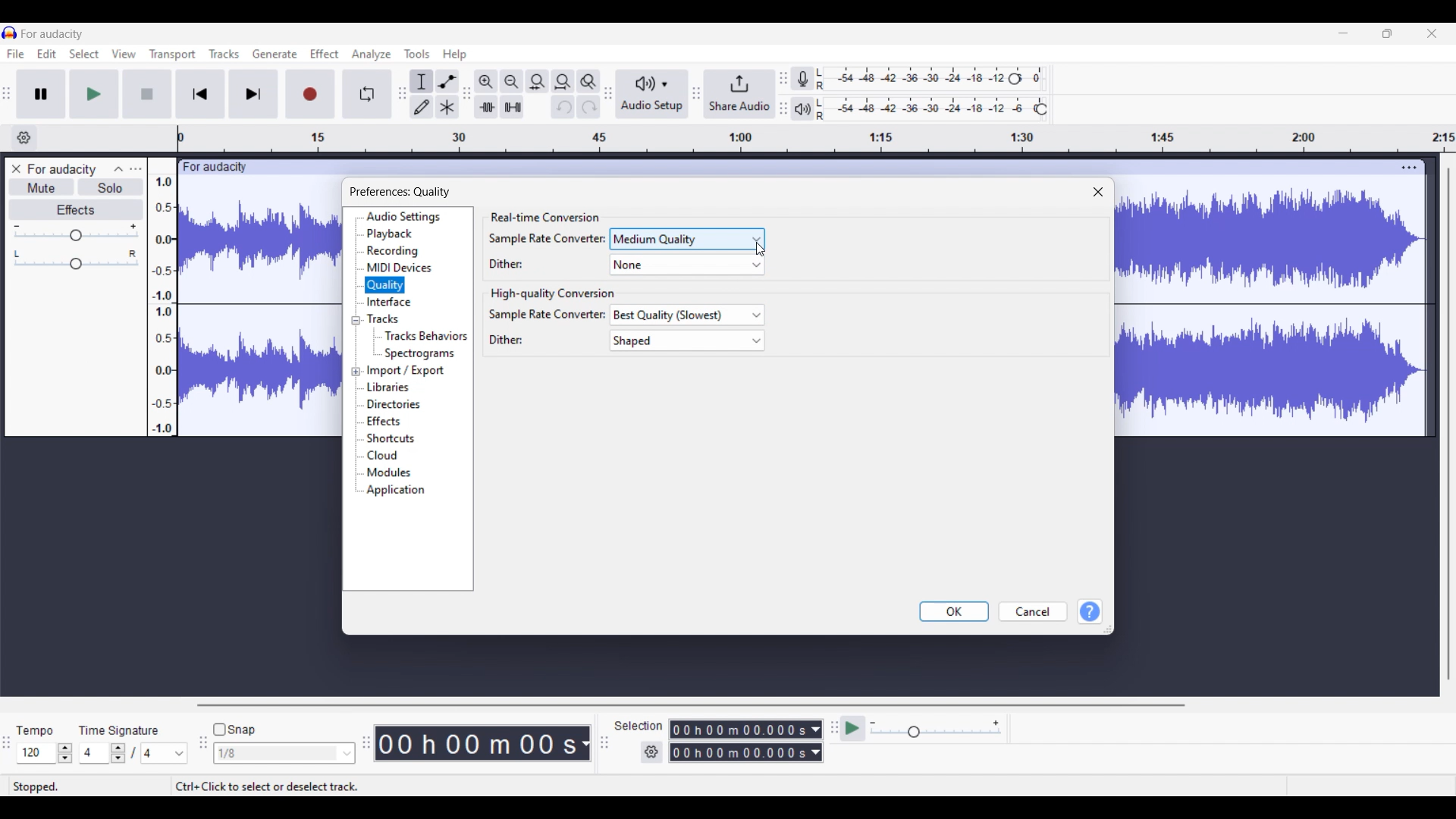  I want to click on Playback meter, so click(802, 108).